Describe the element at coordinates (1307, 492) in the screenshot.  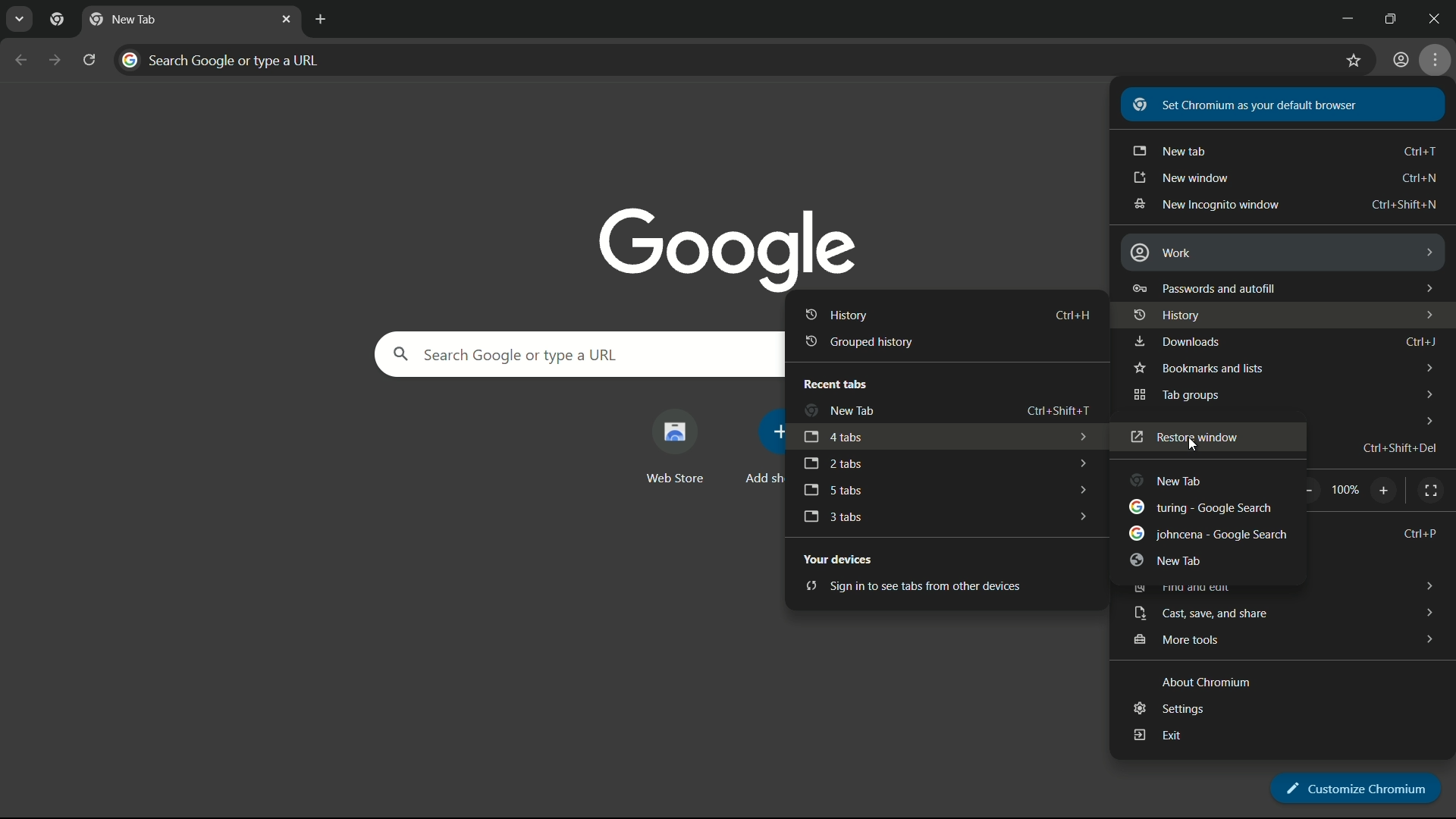
I see `zoom out` at that location.